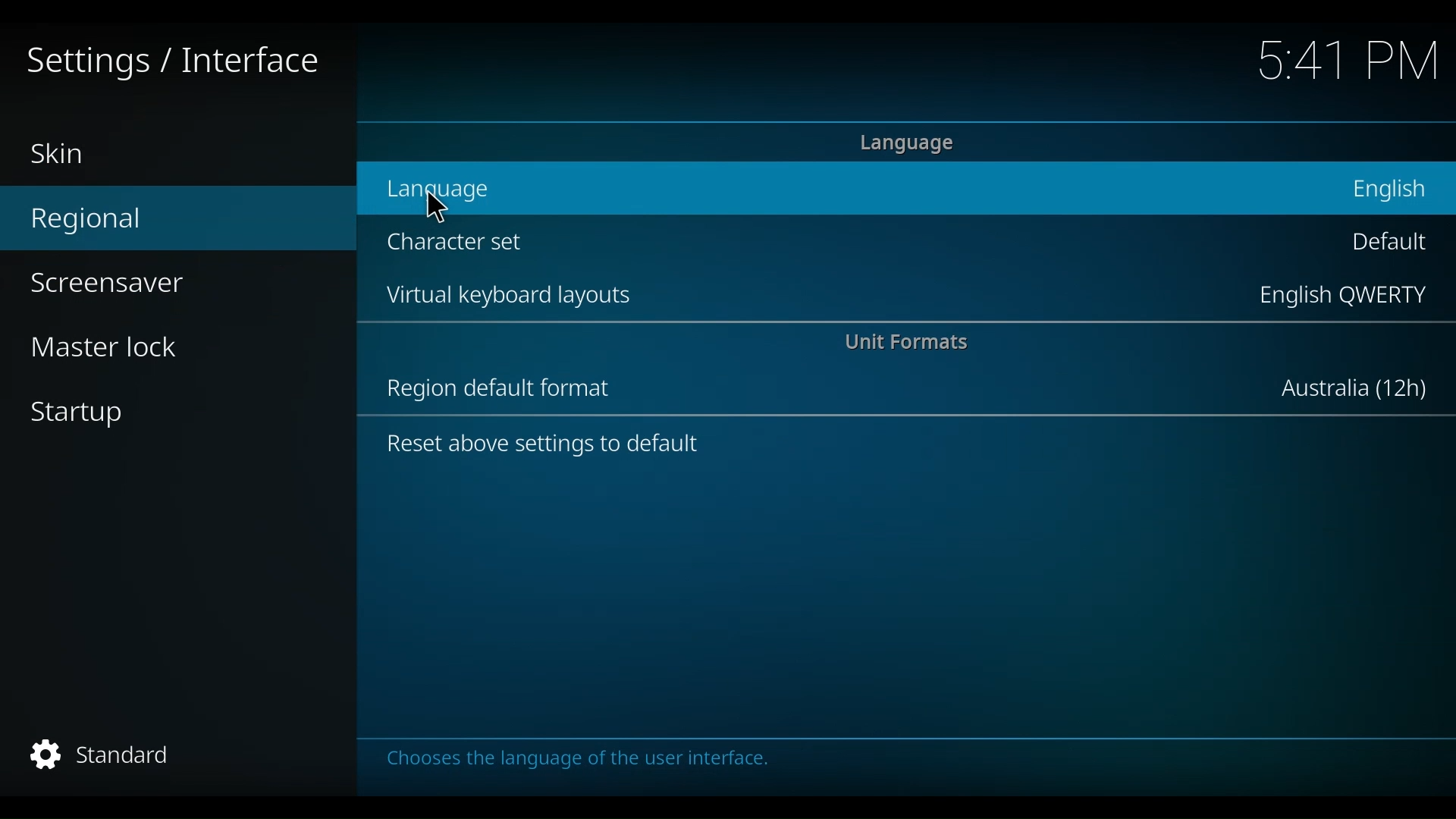  I want to click on Screensaver, so click(107, 285).